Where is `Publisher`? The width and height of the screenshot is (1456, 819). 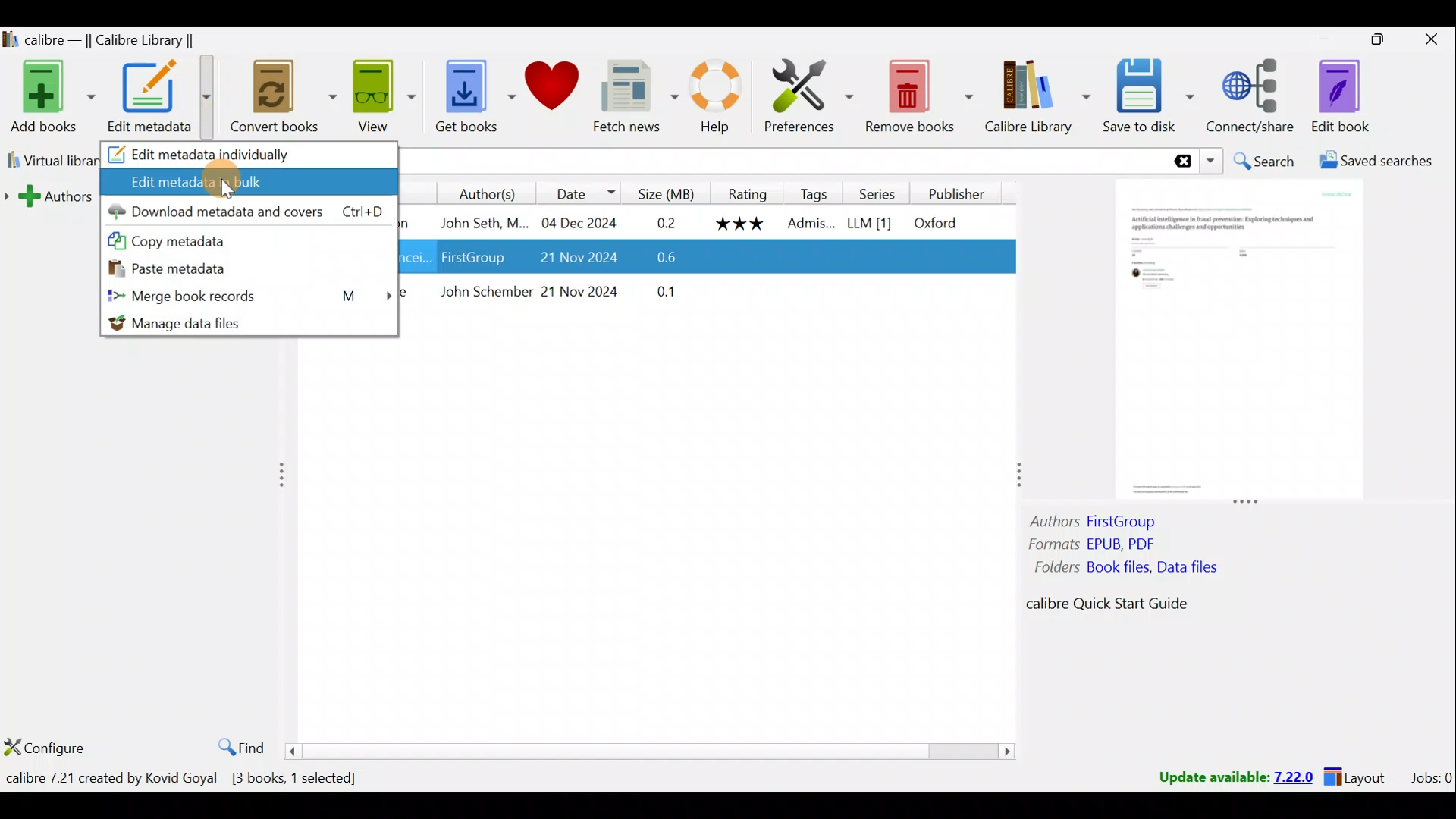
Publisher is located at coordinates (961, 192).